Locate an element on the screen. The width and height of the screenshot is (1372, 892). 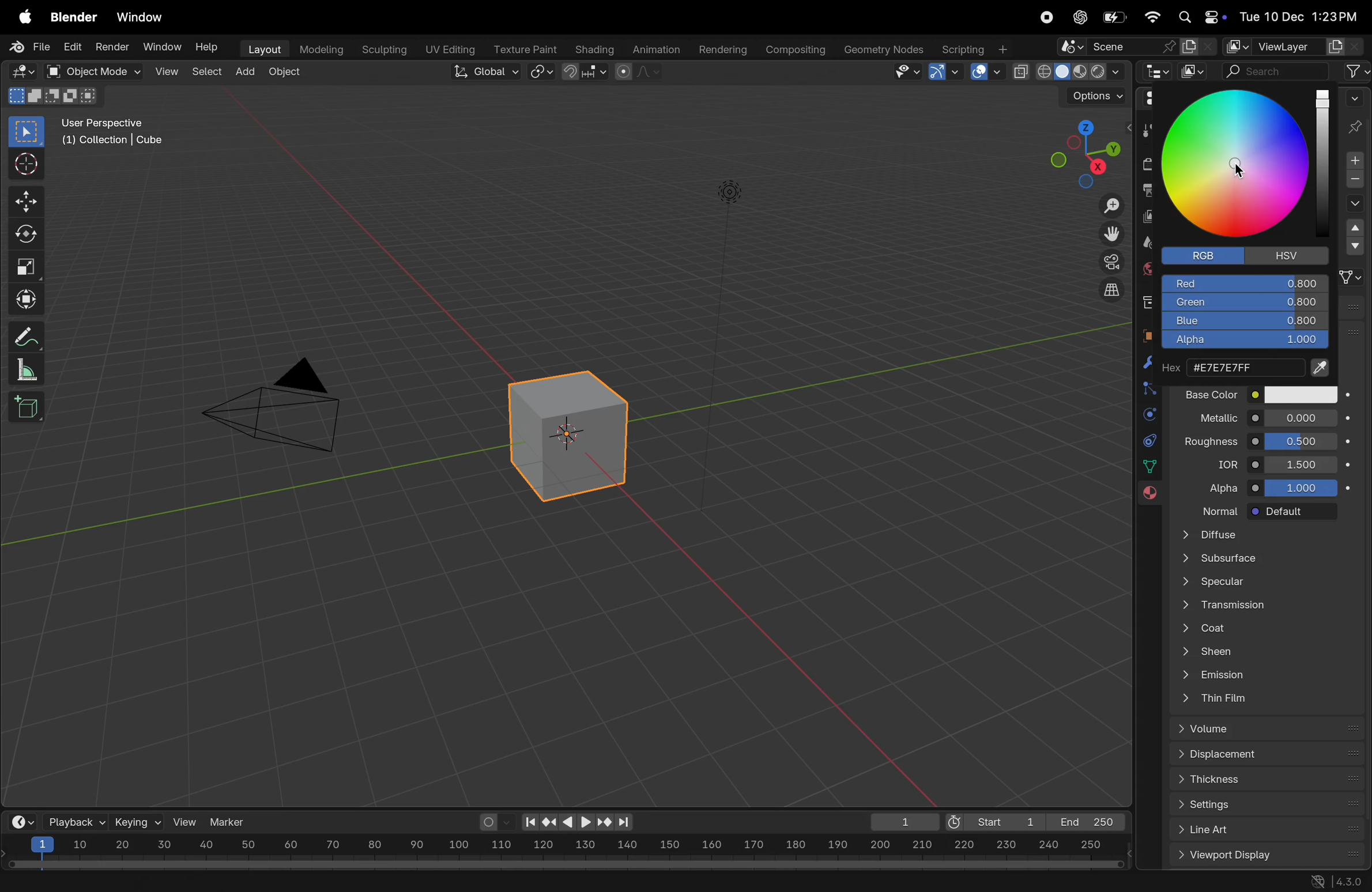
base color is located at coordinates (1212, 394).